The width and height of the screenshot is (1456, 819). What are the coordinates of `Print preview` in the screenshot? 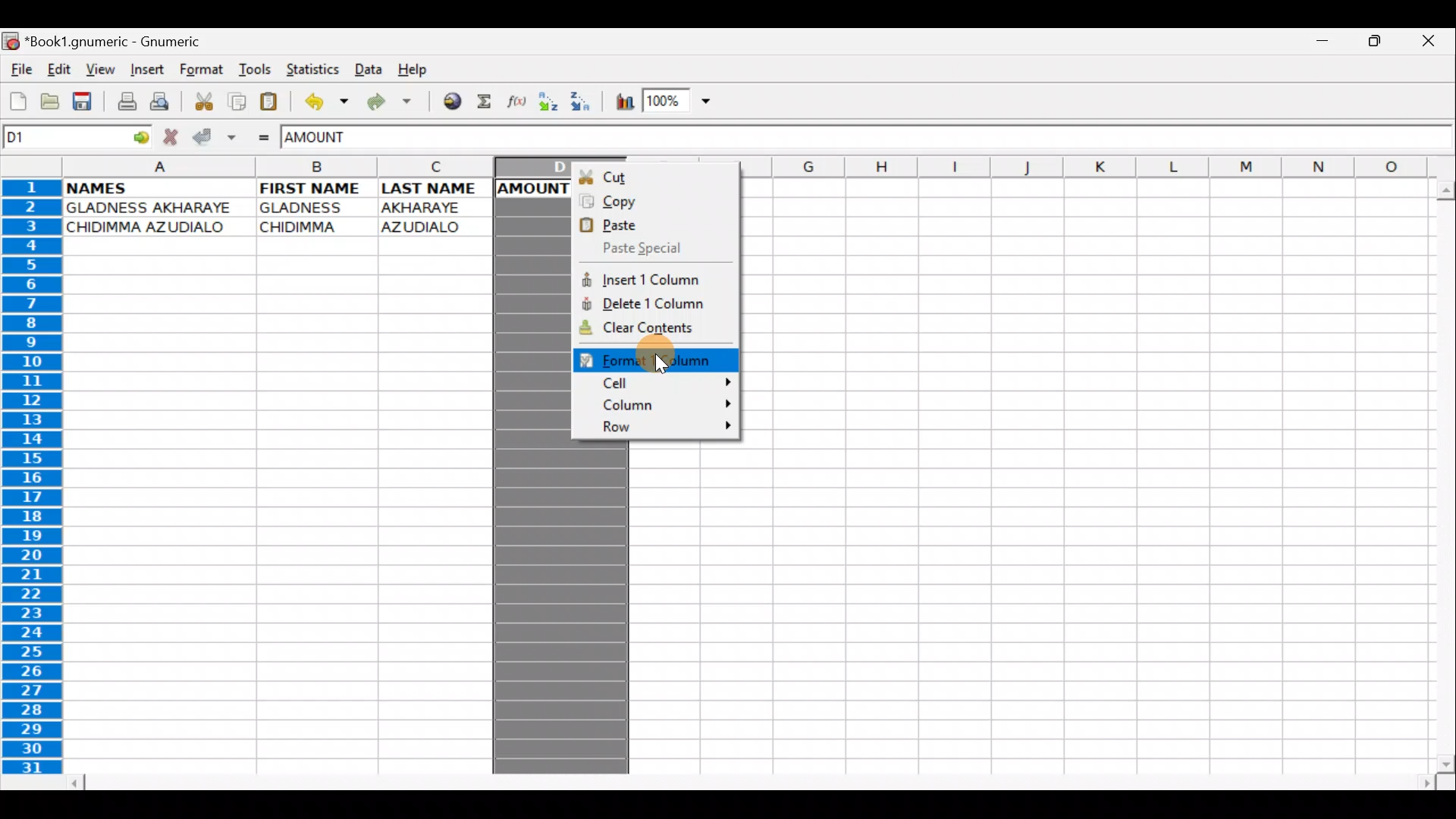 It's located at (162, 101).